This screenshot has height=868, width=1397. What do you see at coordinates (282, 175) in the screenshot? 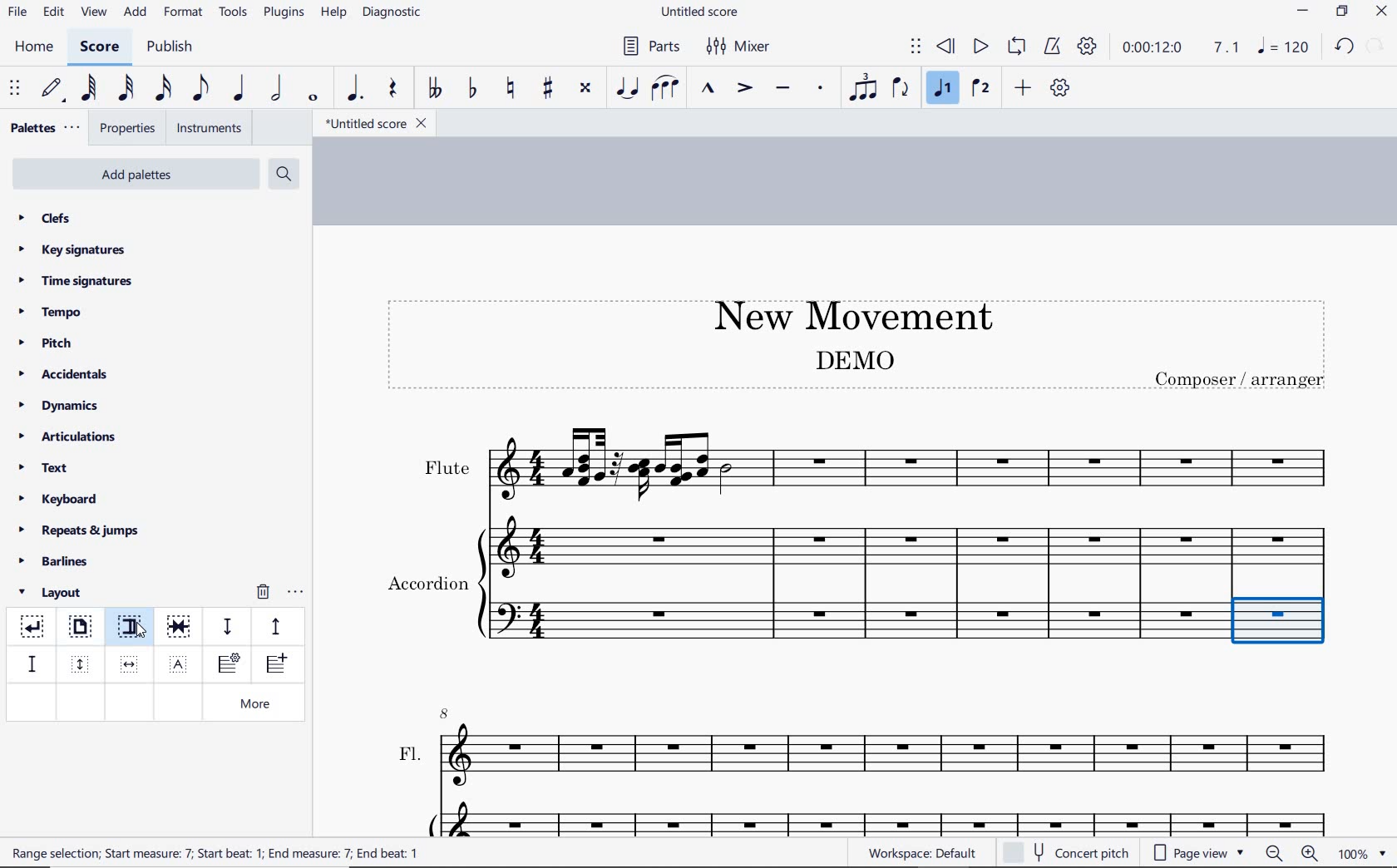
I see `search palettes` at bounding box center [282, 175].